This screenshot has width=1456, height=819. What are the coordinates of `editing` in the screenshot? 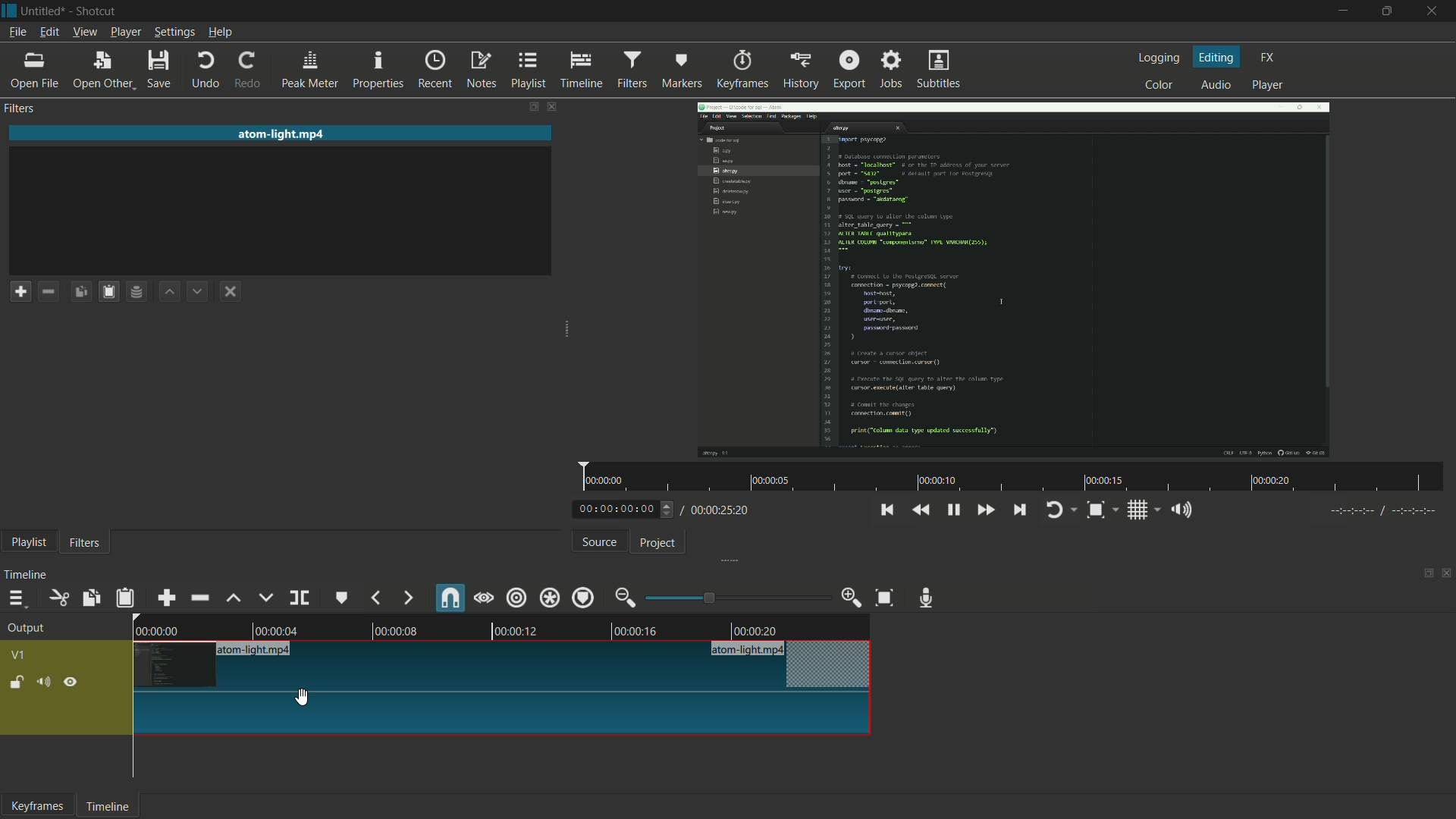 It's located at (1218, 58).